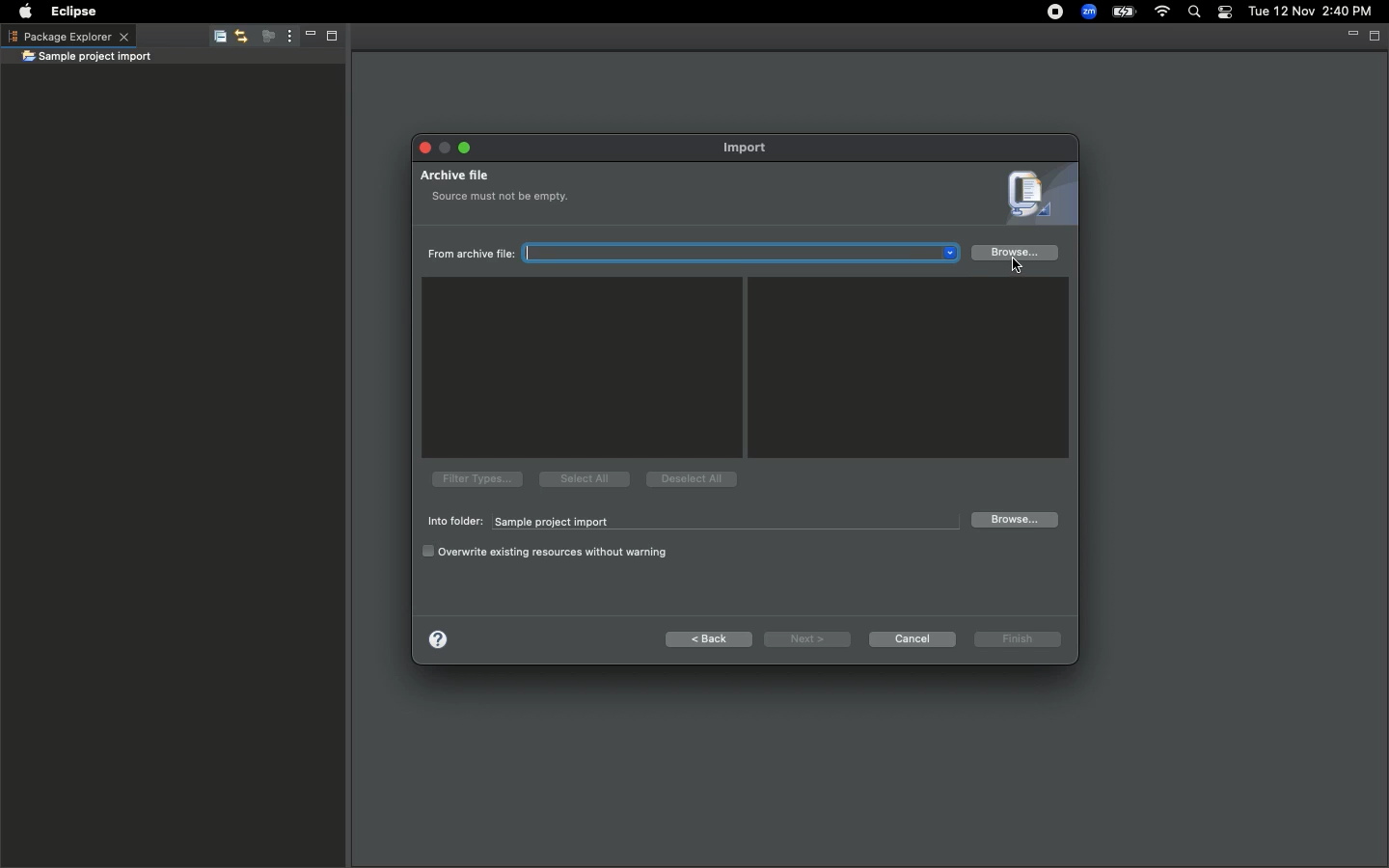 This screenshot has width=1389, height=868. Describe the element at coordinates (262, 38) in the screenshot. I see `Focus on active task` at that location.